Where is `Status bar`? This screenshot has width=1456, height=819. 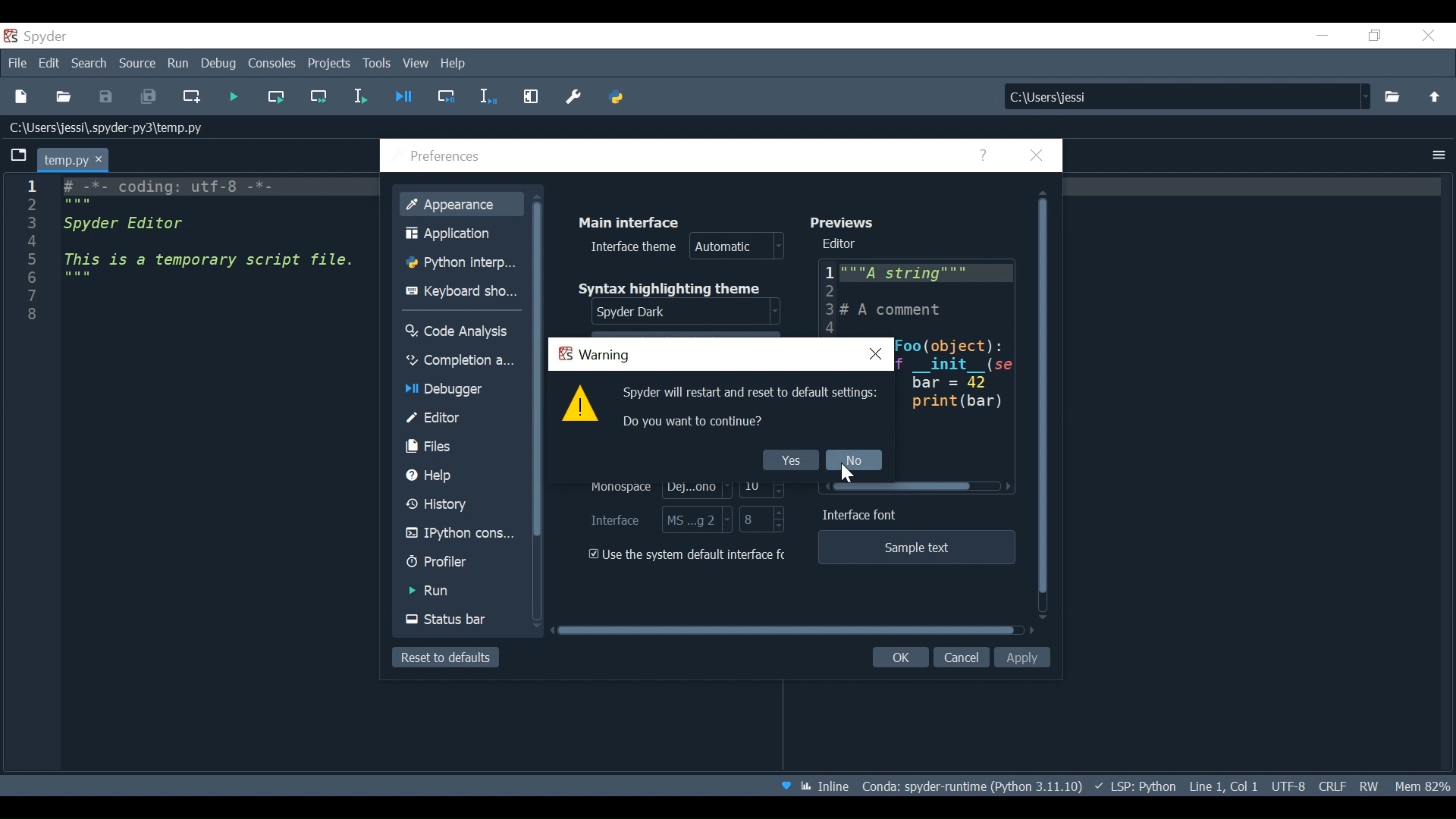
Status bar is located at coordinates (460, 619).